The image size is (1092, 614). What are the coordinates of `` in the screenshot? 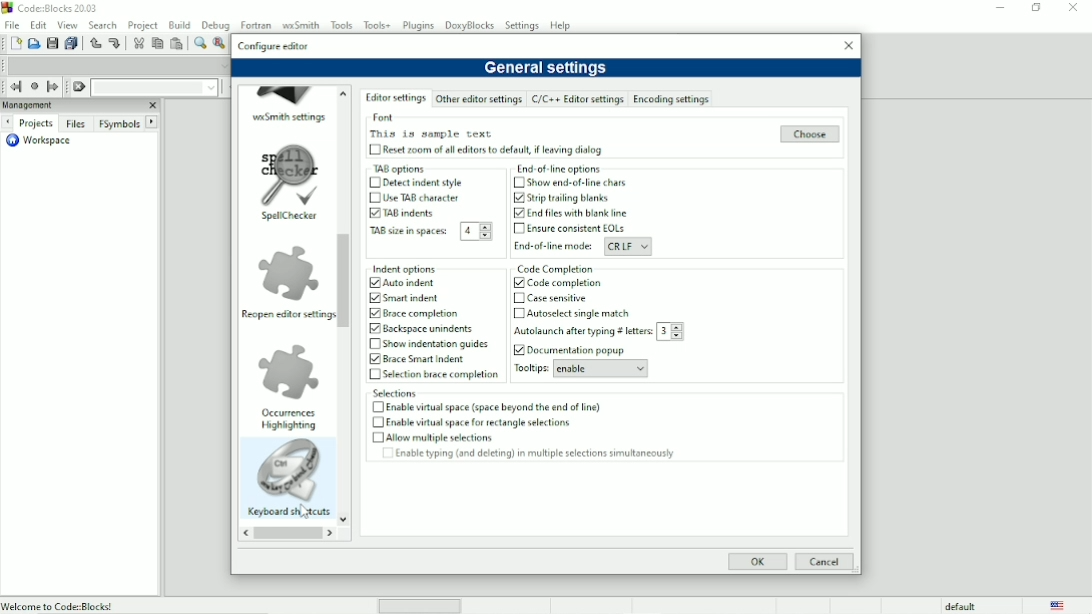 It's located at (376, 422).